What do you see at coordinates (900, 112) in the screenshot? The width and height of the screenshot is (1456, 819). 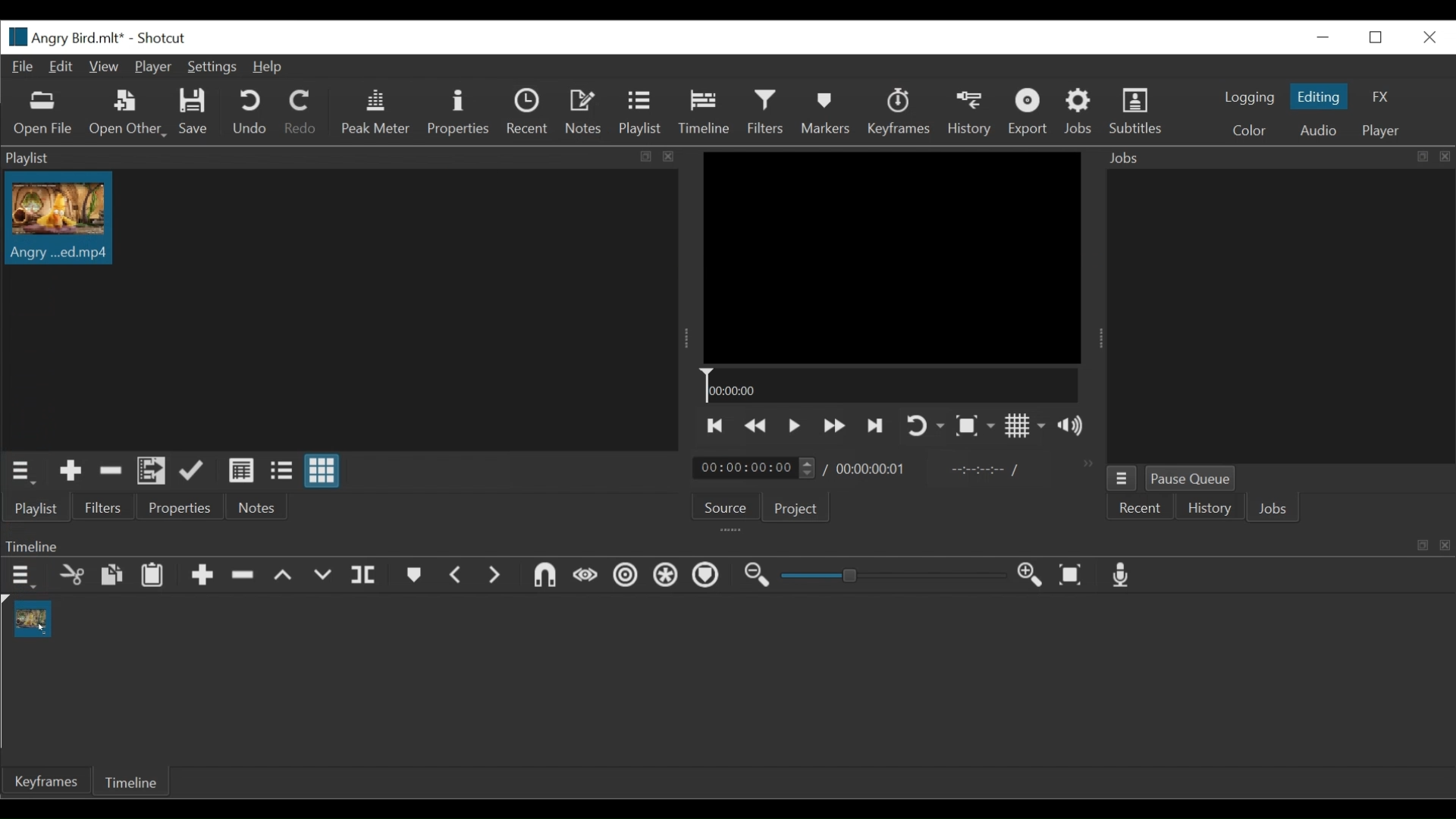 I see `Keyframes` at bounding box center [900, 112].